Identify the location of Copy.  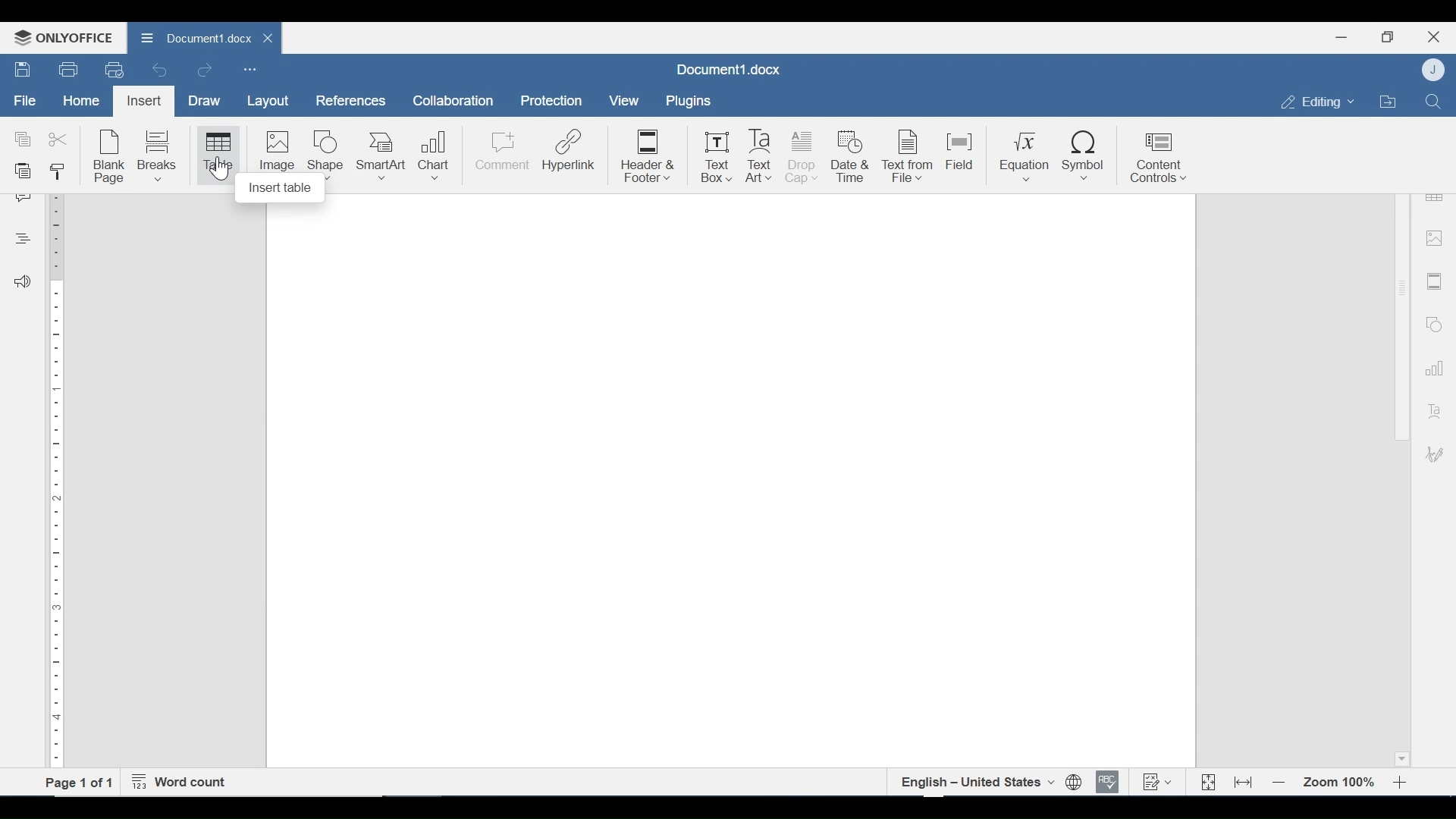
(24, 140).